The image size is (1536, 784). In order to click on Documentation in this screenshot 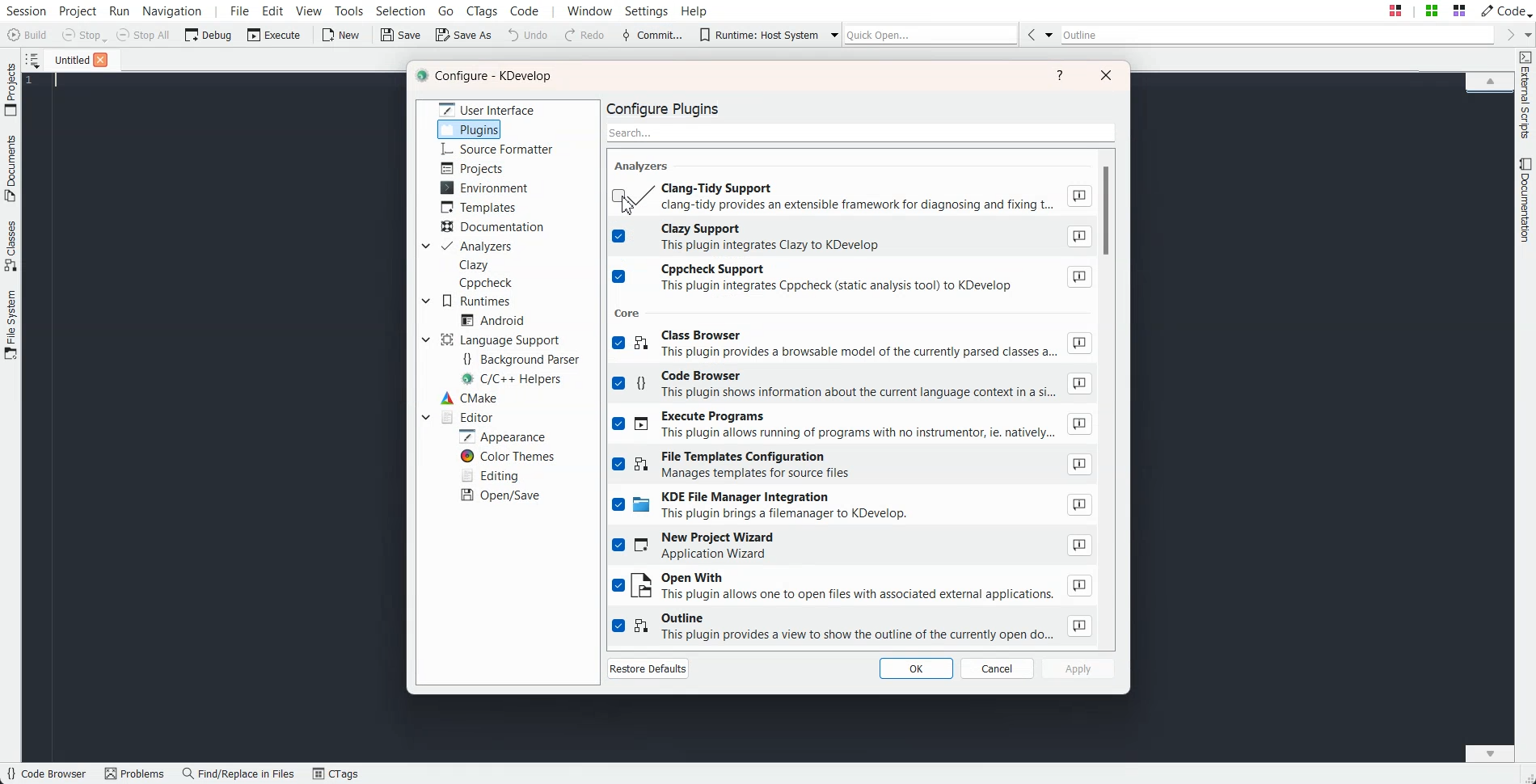, I will do `click(1526, 200)`.